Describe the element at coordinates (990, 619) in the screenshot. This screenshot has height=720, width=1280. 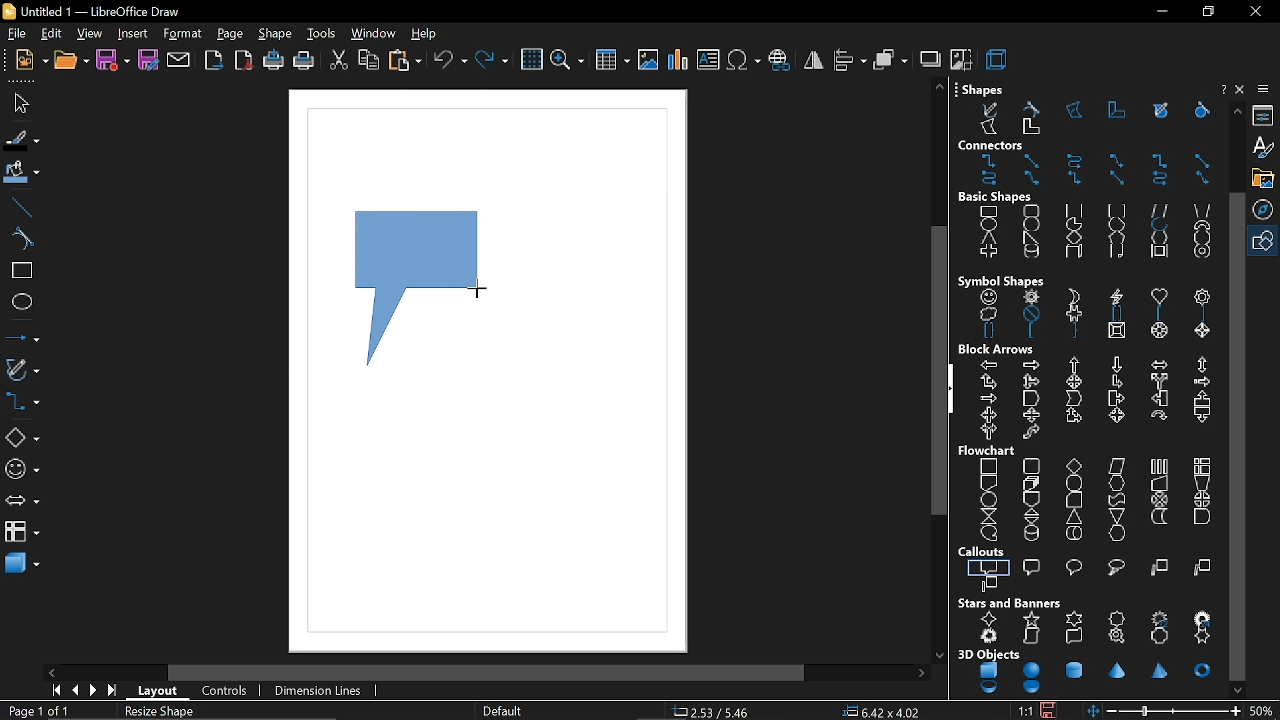
I see `4 point star` at that location.